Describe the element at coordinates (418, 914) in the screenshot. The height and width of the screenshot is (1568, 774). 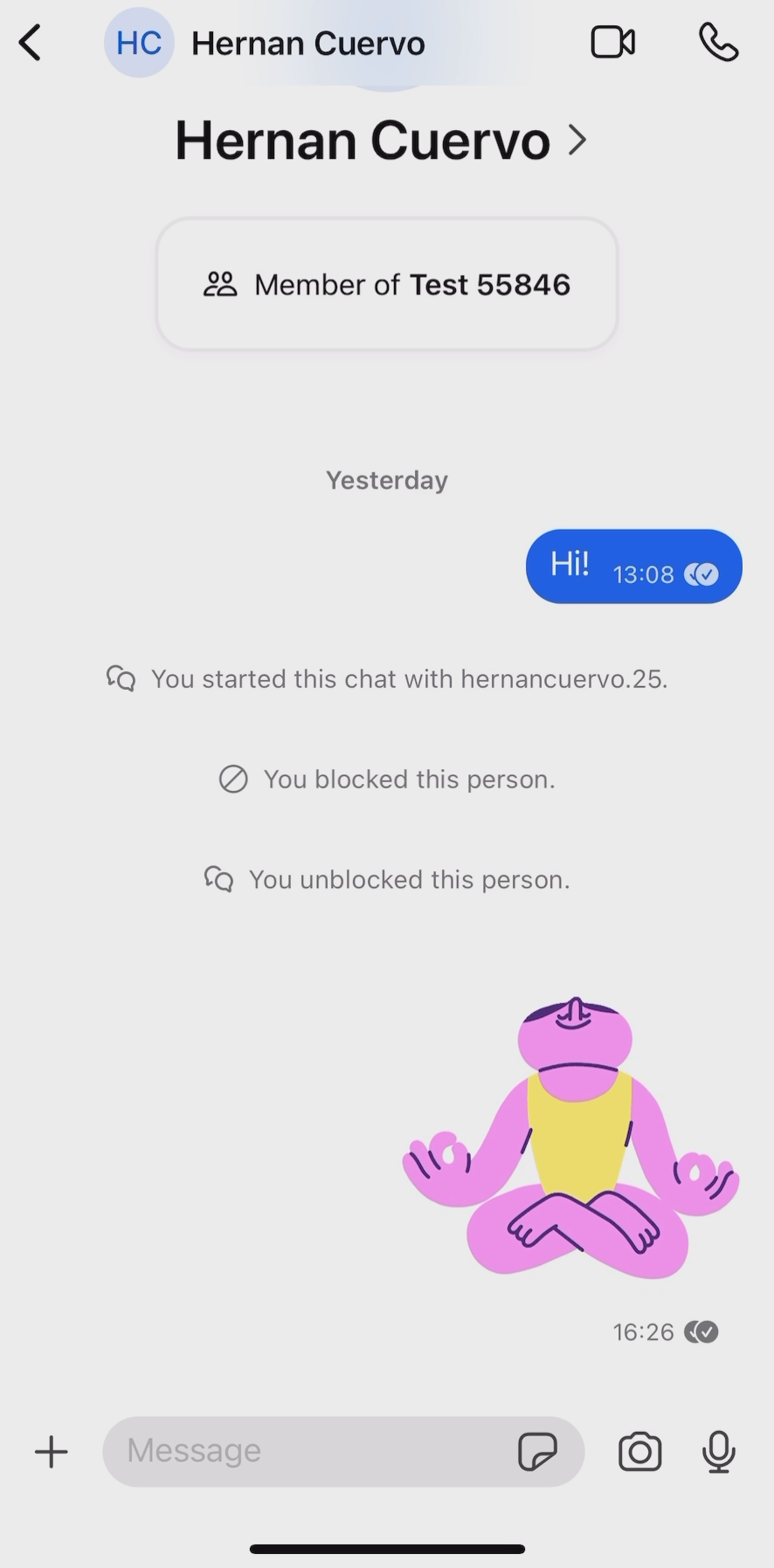
I see `activity chat` at that location.